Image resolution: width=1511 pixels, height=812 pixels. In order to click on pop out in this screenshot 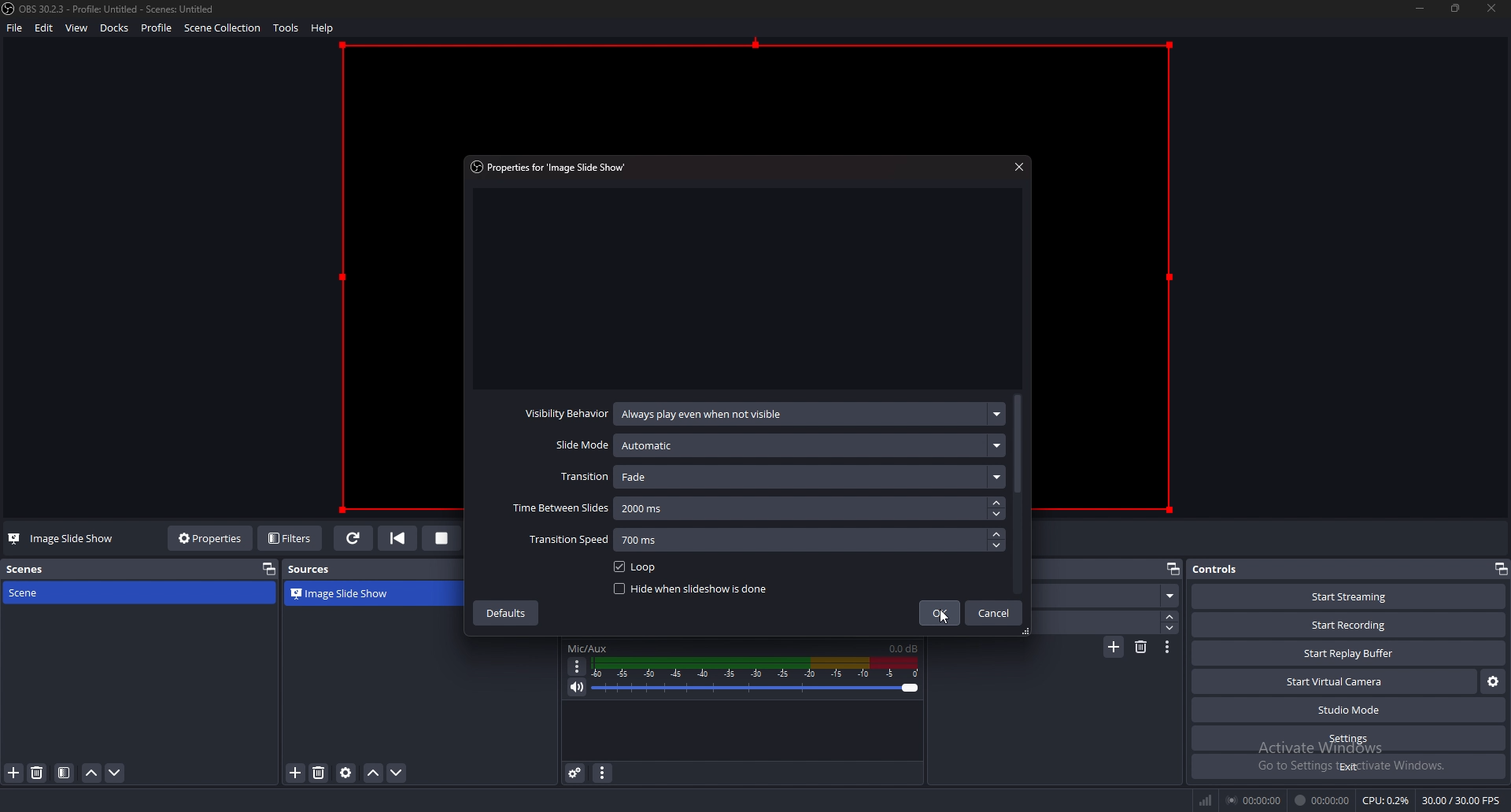, I will do `click(269, 569)`.